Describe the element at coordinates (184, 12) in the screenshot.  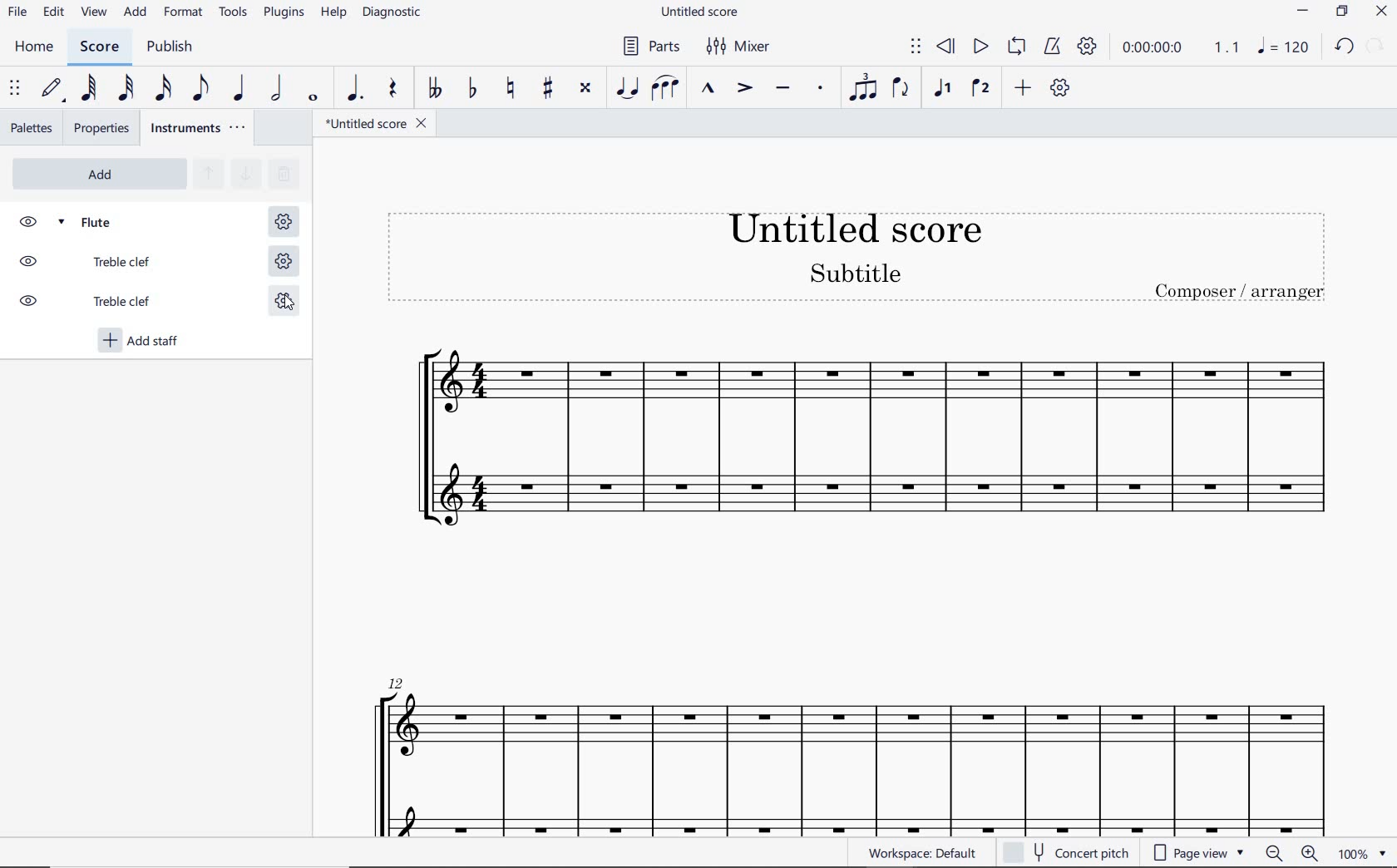
I see `FORMAT` at that location.